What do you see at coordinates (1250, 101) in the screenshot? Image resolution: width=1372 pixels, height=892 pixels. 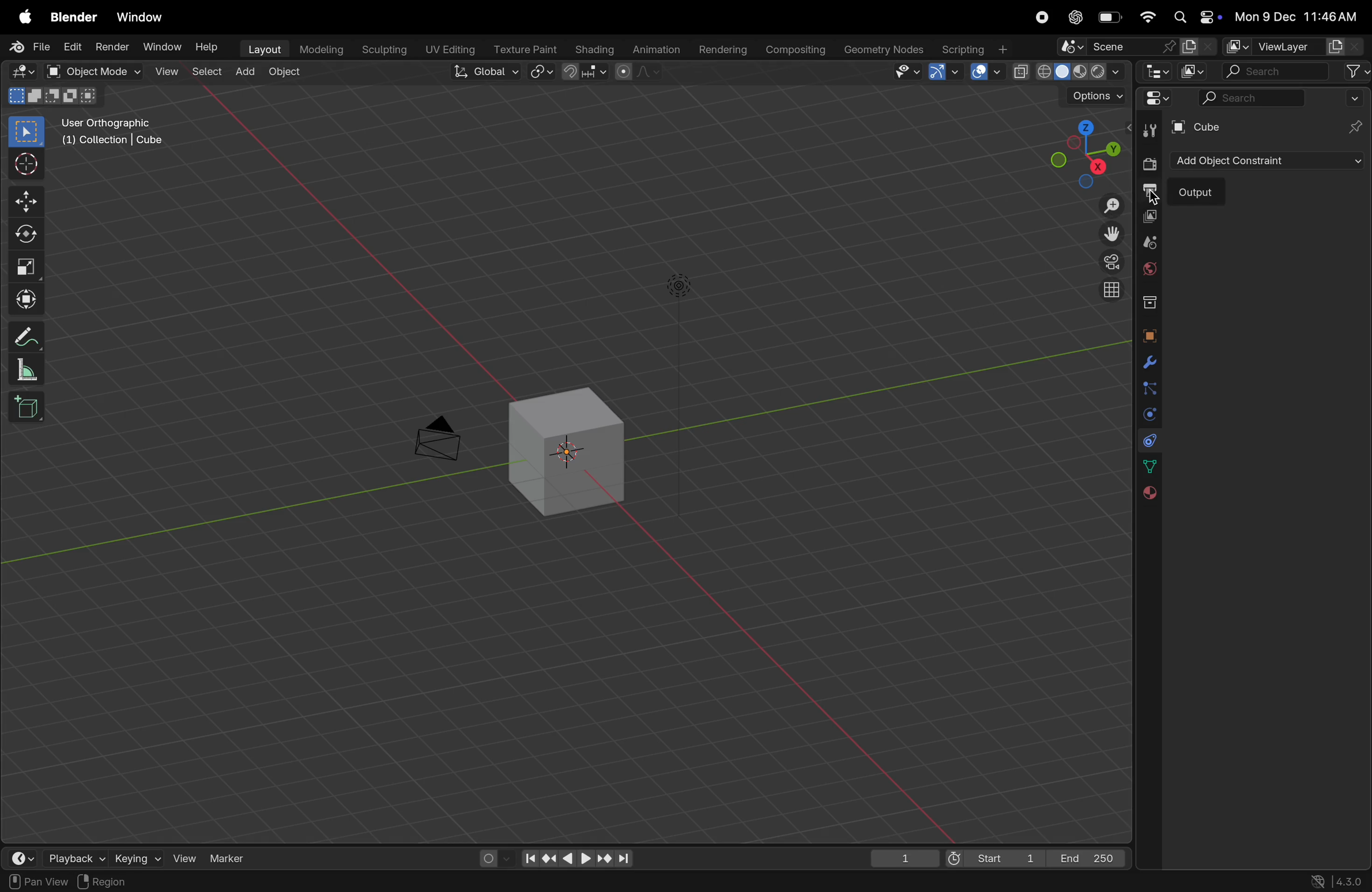 I see `search` at bounding box center [1250, 101].